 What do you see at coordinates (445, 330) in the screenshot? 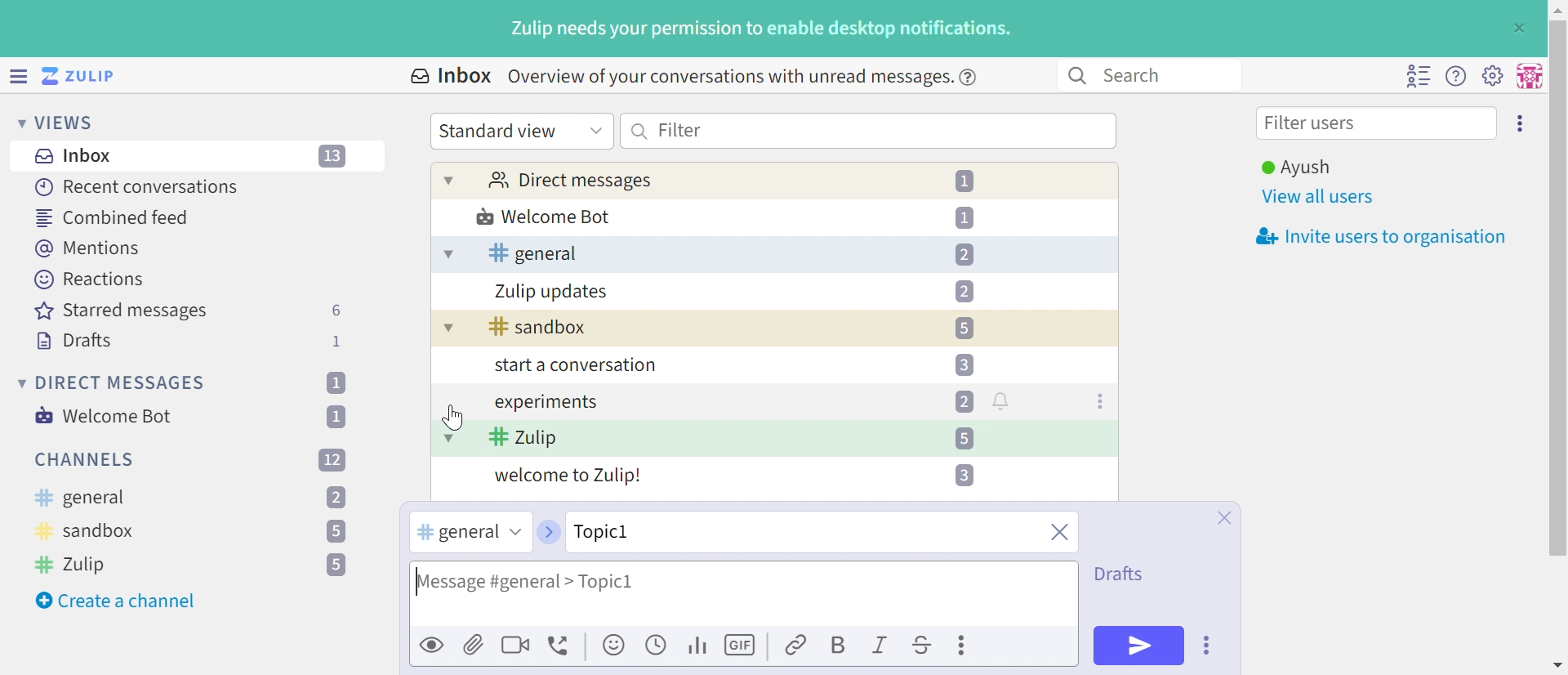
I see `Drop Down` at bounding box center [445, 330].